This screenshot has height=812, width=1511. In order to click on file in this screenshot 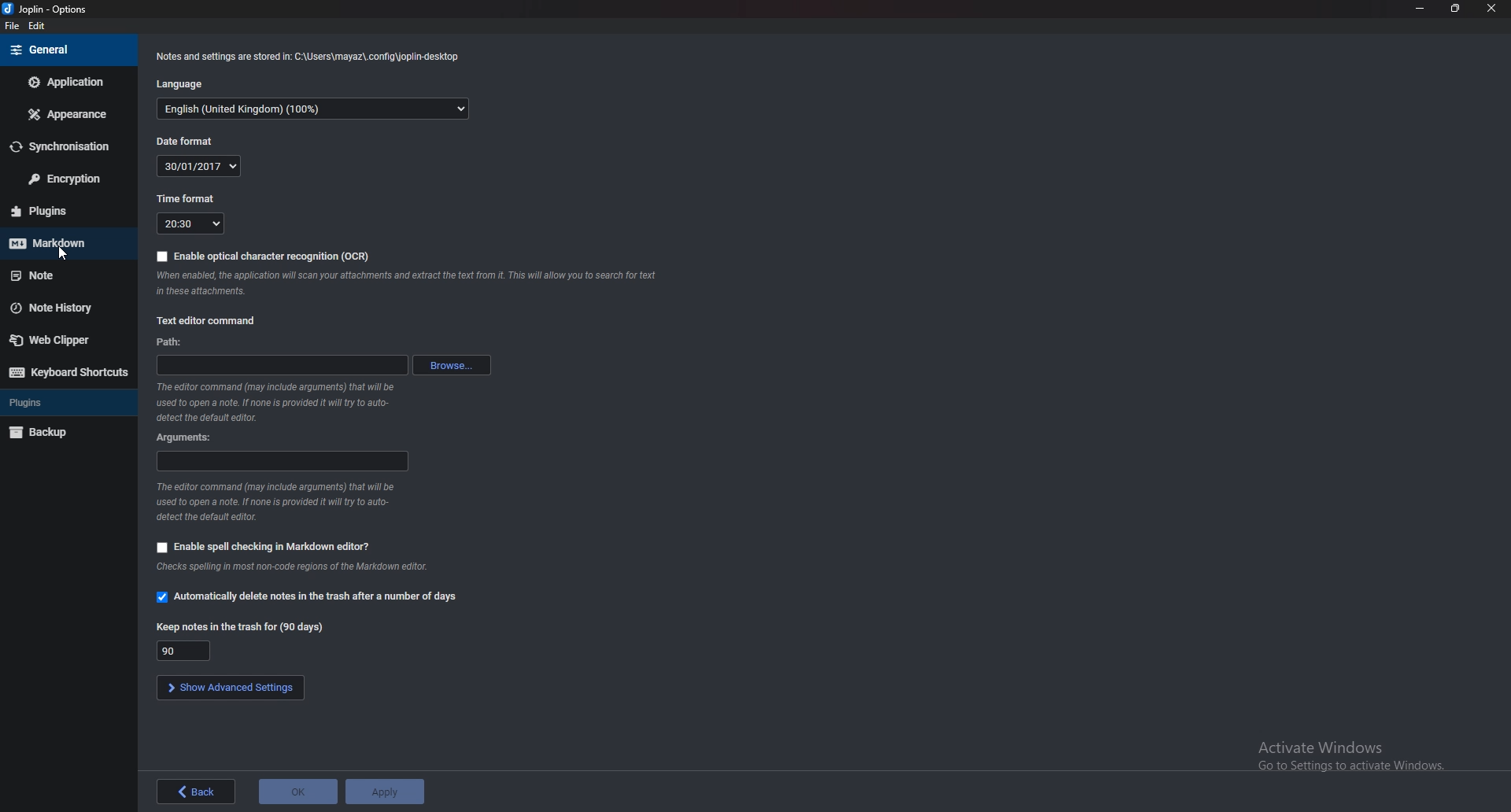, I will do `click(11, 26)`.